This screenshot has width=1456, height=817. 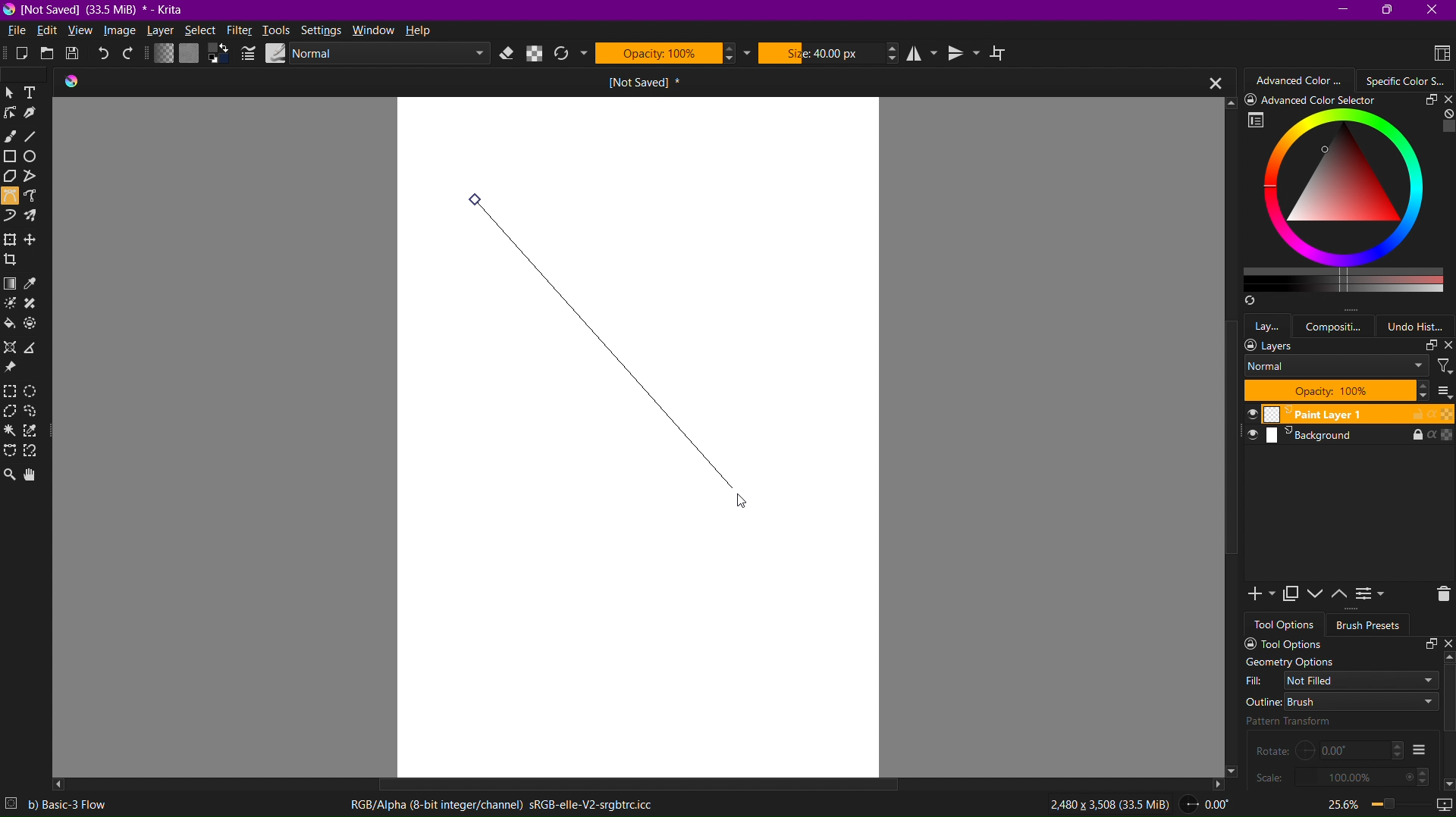 What do you see at coordinates (11, 452) in the screenshot?
I see `Bezier Curve Selection Tool` at bounding box center [11, 452].